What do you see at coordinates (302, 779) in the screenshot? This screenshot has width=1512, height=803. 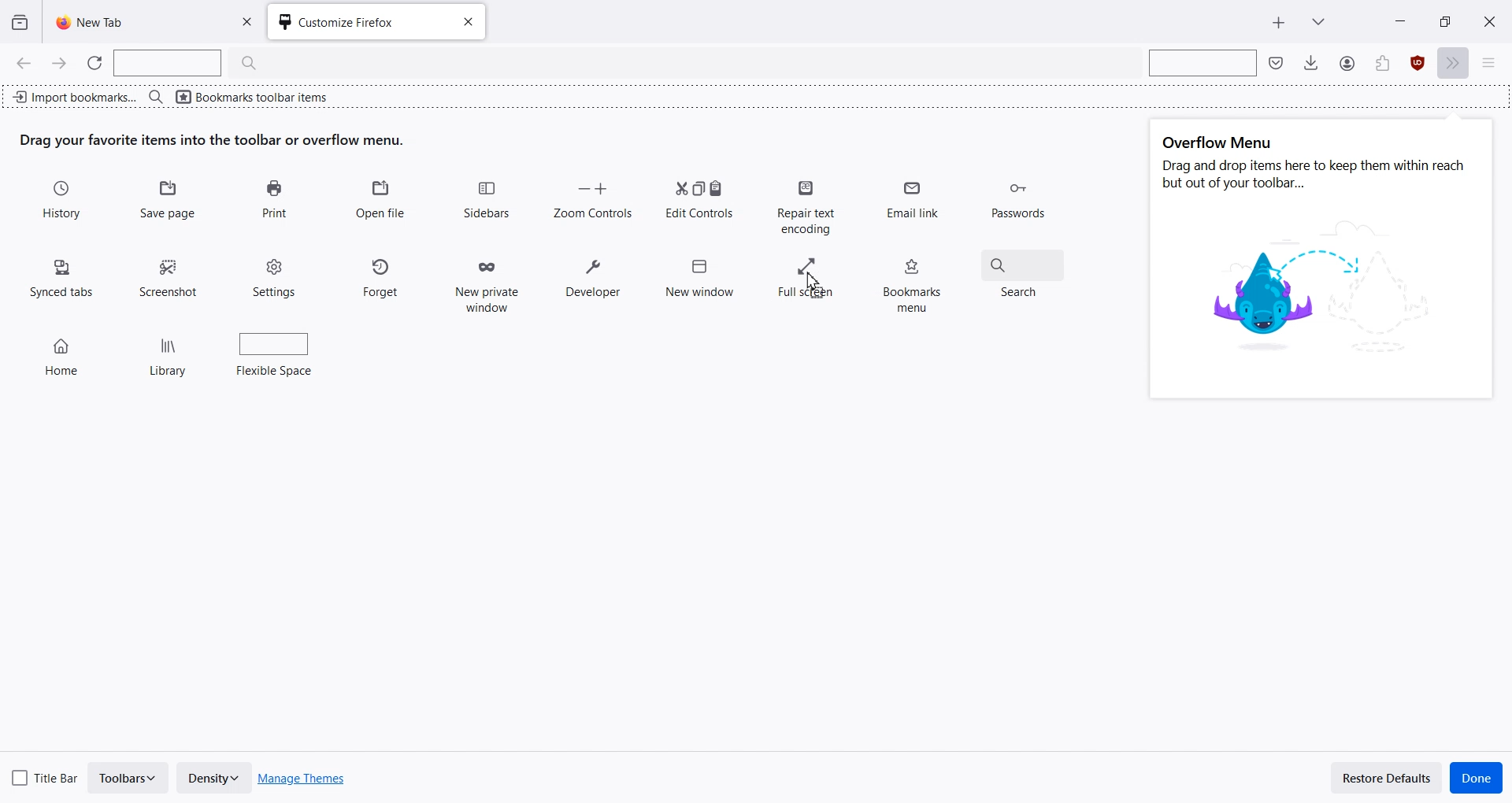 I see `Manage Themes` at bounding box center [302, 779].